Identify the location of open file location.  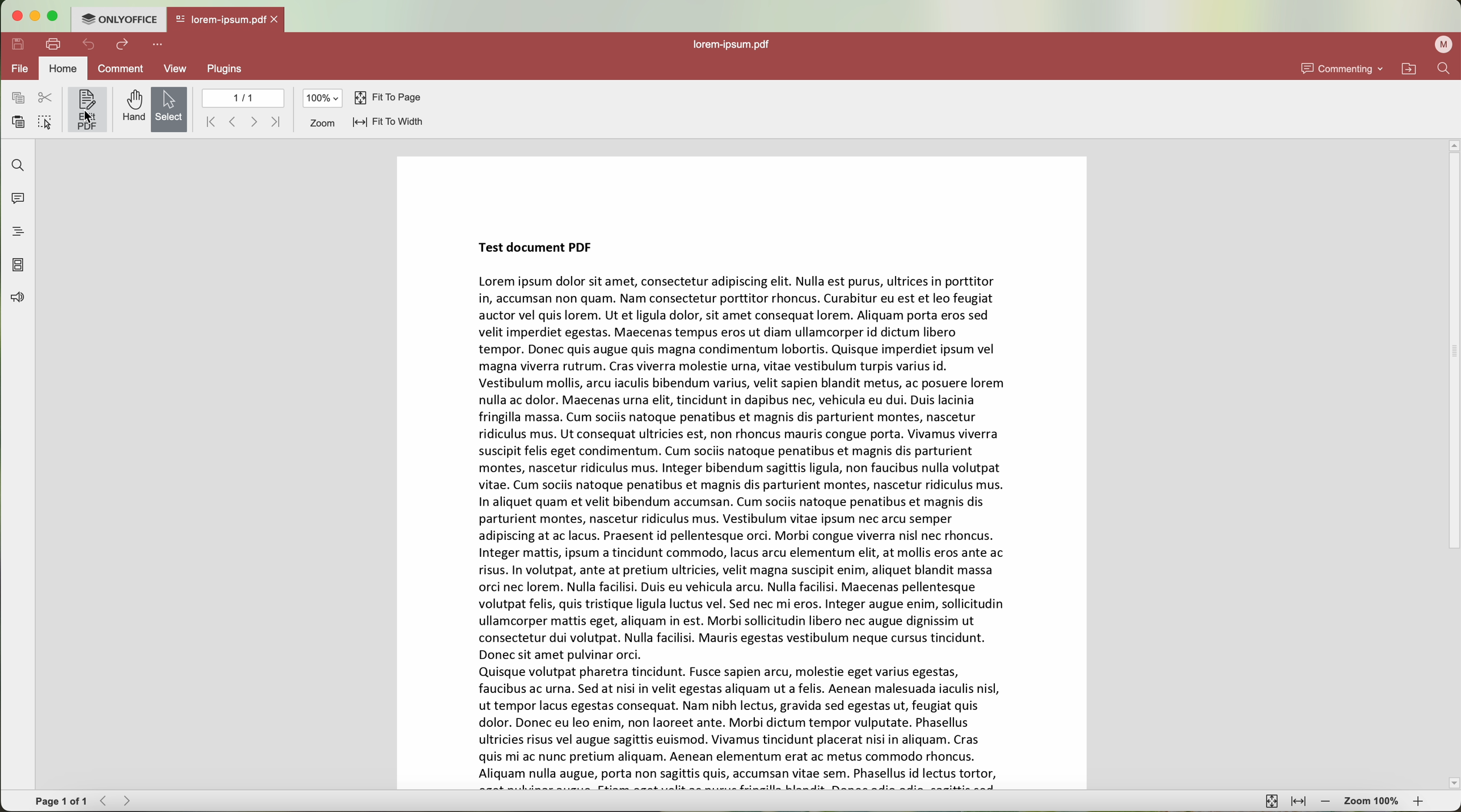
(1410, 69).